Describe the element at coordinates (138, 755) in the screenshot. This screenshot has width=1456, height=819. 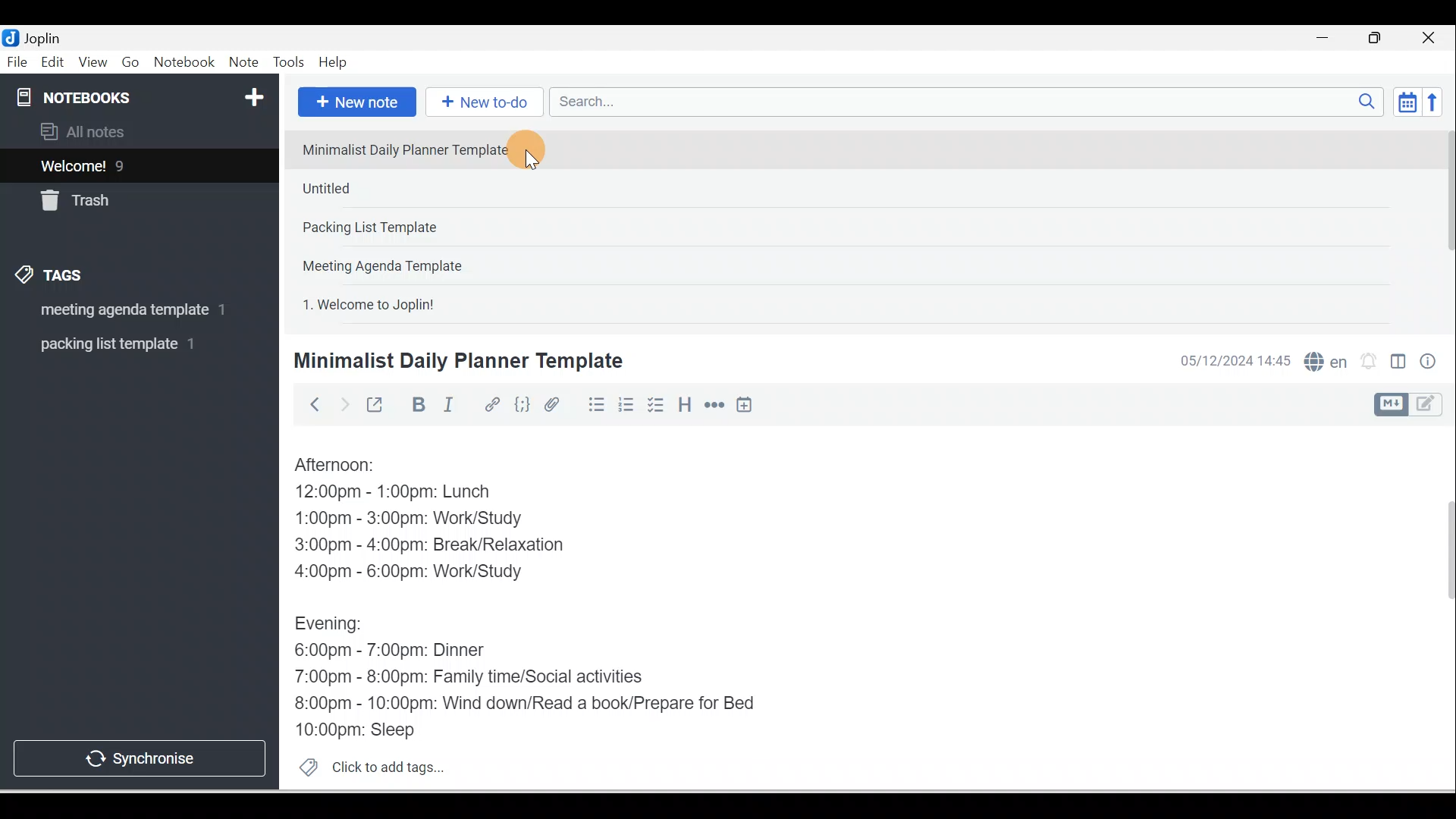
I see `Synchronise` at that location.